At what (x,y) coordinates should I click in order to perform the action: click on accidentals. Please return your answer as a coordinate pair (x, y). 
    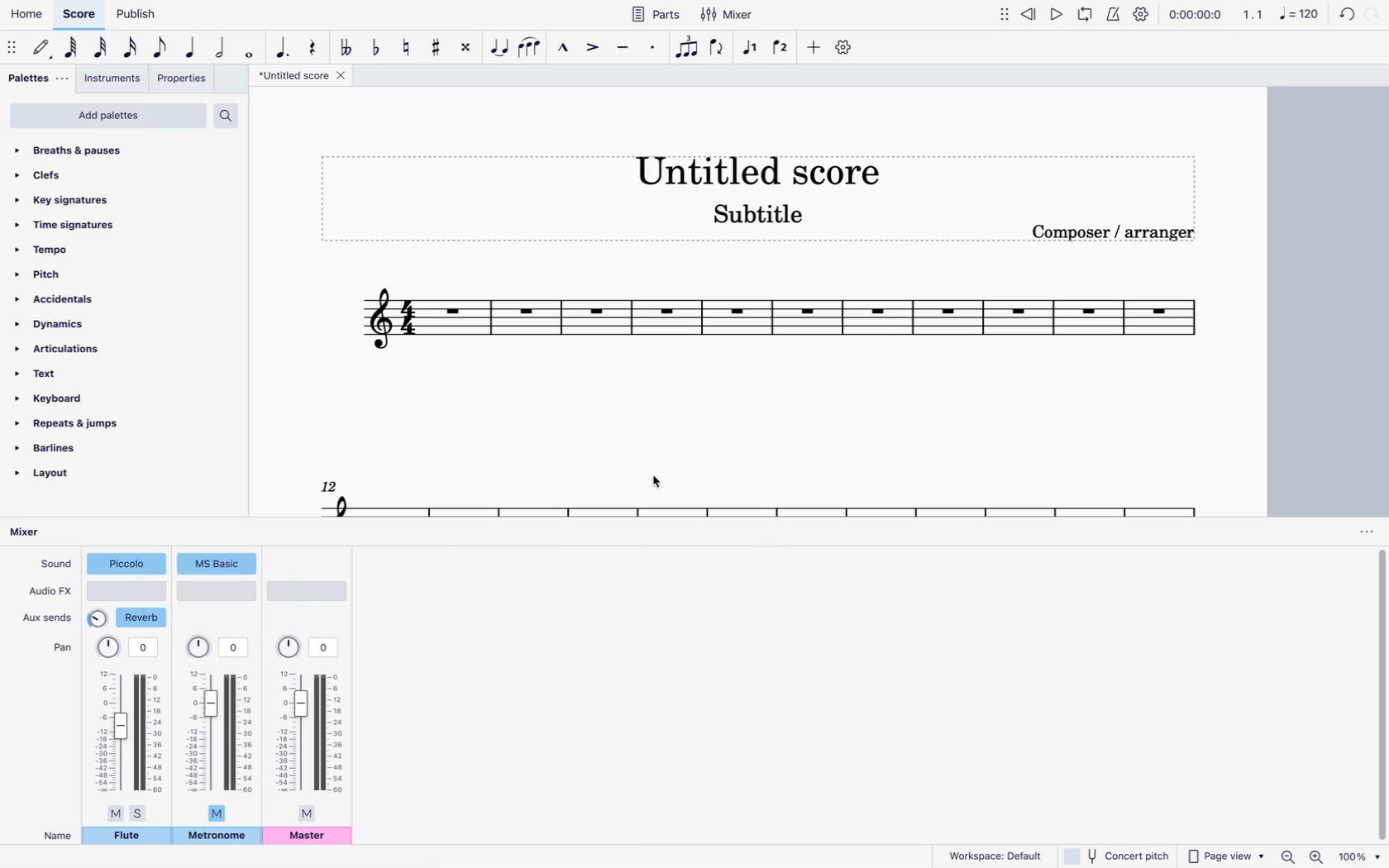
    Looking at the image, I should click on (63, 299).